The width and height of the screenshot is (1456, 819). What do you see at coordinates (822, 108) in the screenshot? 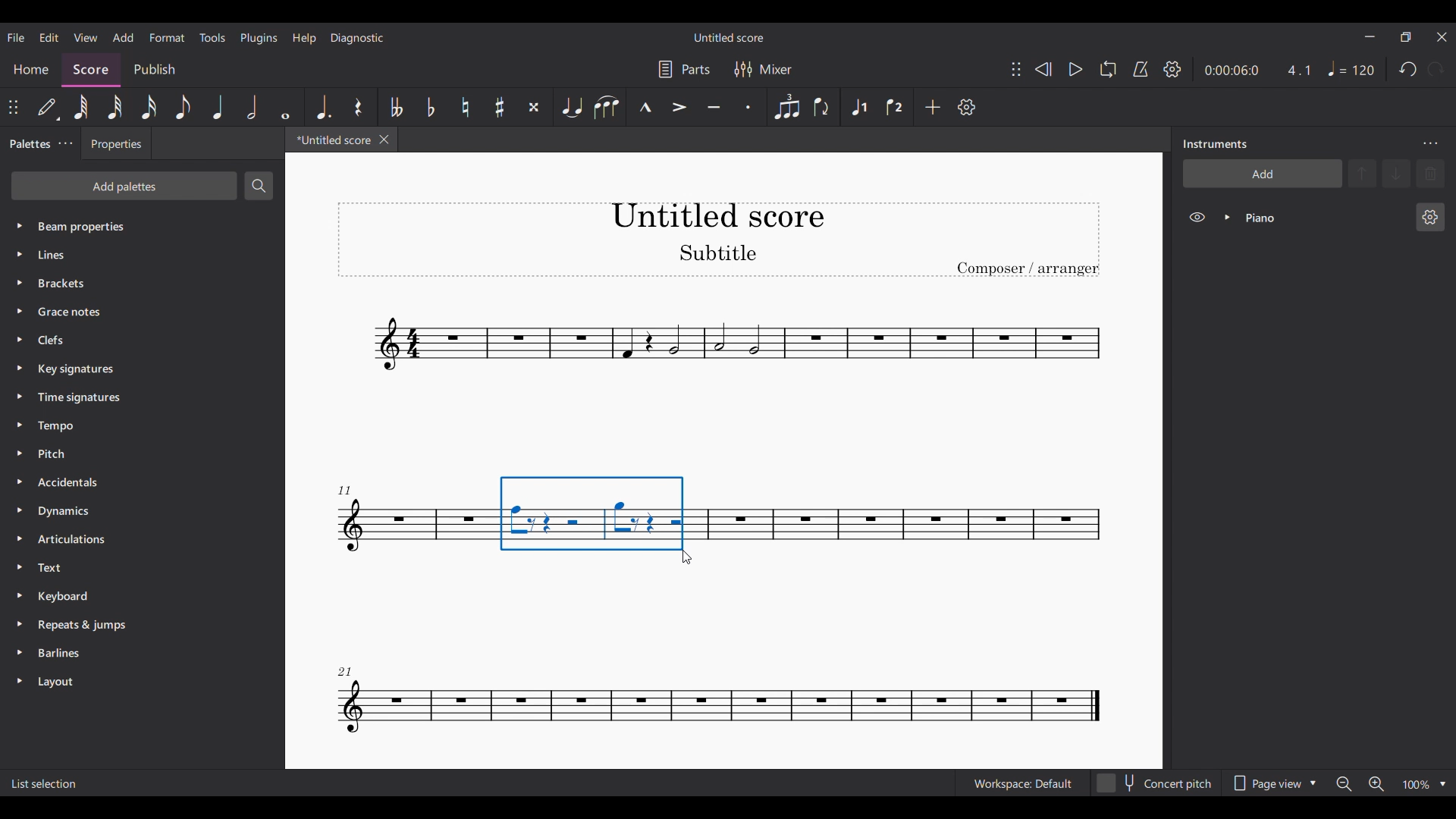
I see `Flip direction` at bounding box center [822, 108].